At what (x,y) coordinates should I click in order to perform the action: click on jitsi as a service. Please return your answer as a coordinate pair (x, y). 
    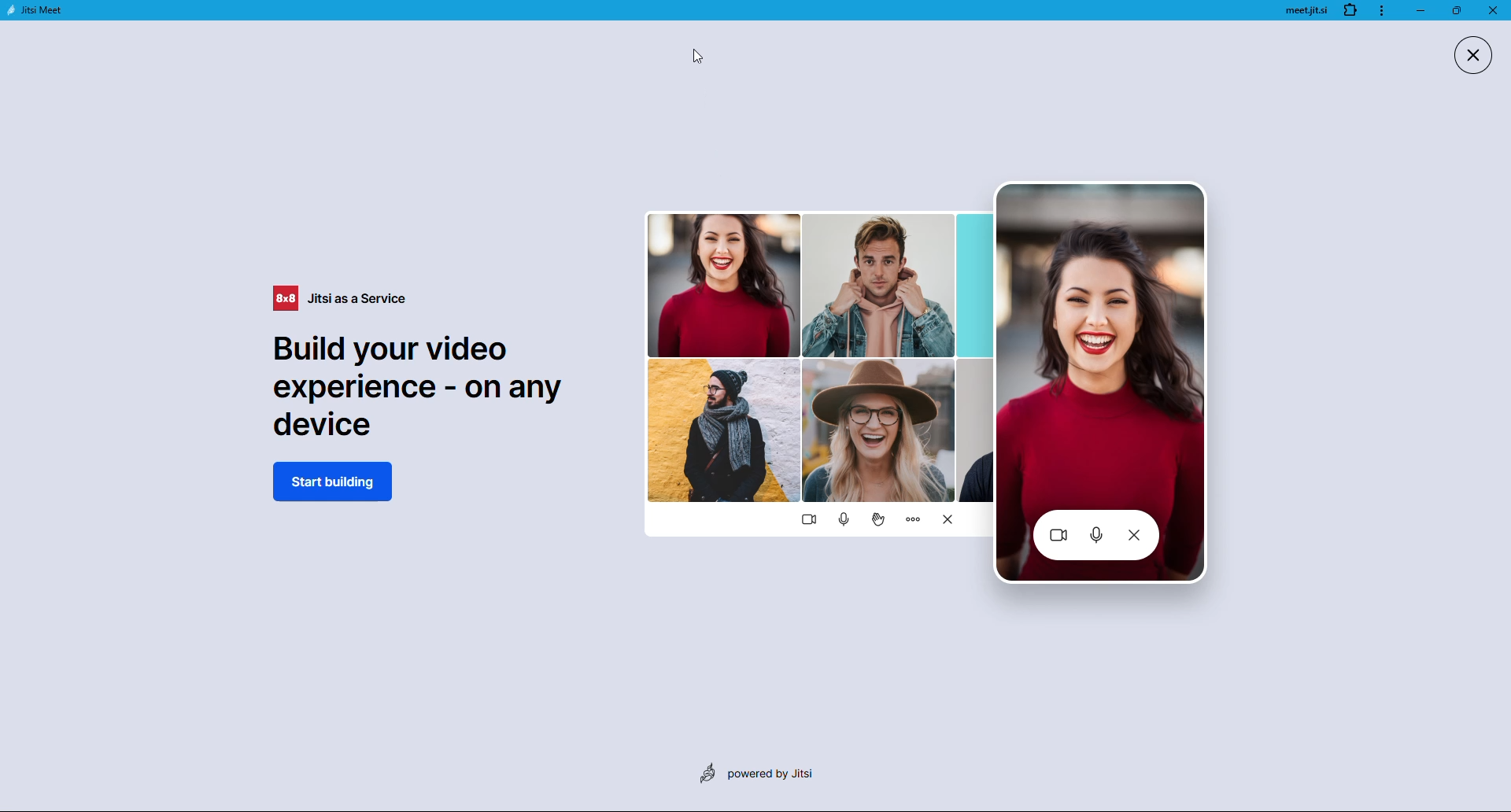
    Looking at the image, I should click on (337, 294).